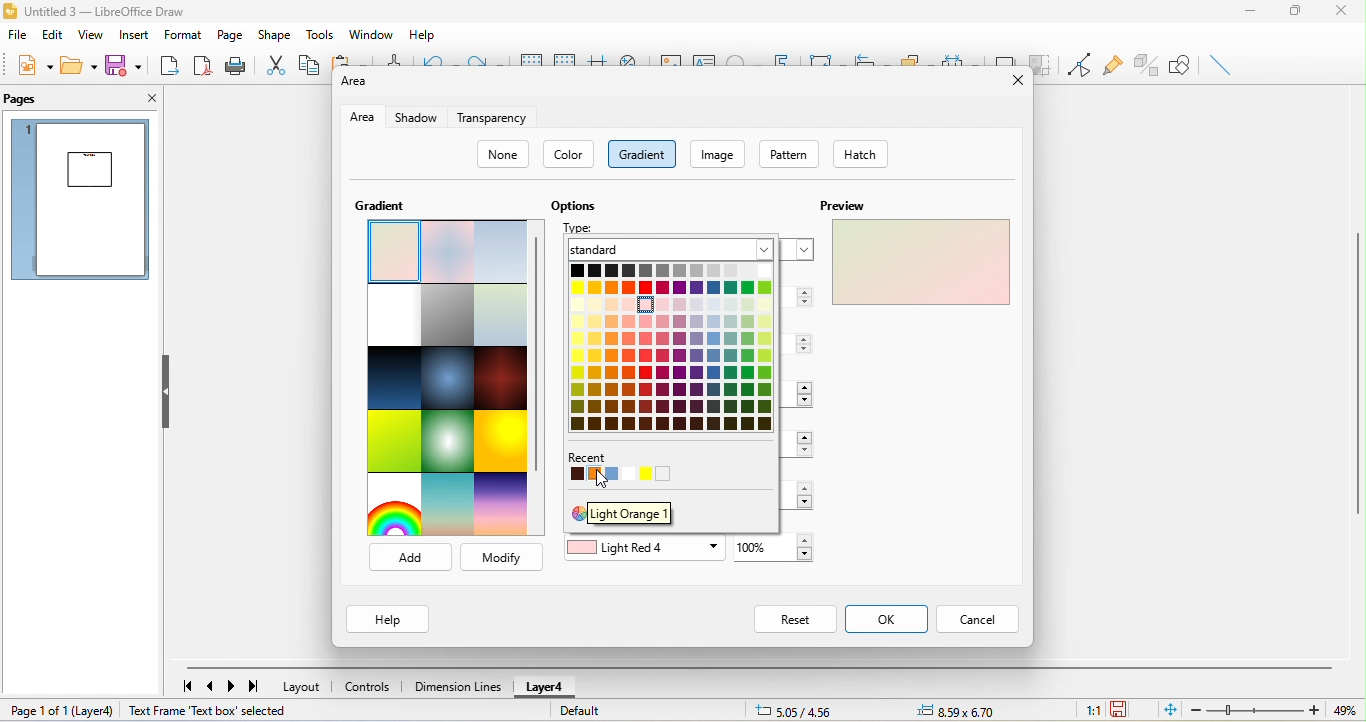 The image size is (1366, 722). Describe the element at coordinates (1171, 711) in the screenshot. I see `fit to the current page` at that location.